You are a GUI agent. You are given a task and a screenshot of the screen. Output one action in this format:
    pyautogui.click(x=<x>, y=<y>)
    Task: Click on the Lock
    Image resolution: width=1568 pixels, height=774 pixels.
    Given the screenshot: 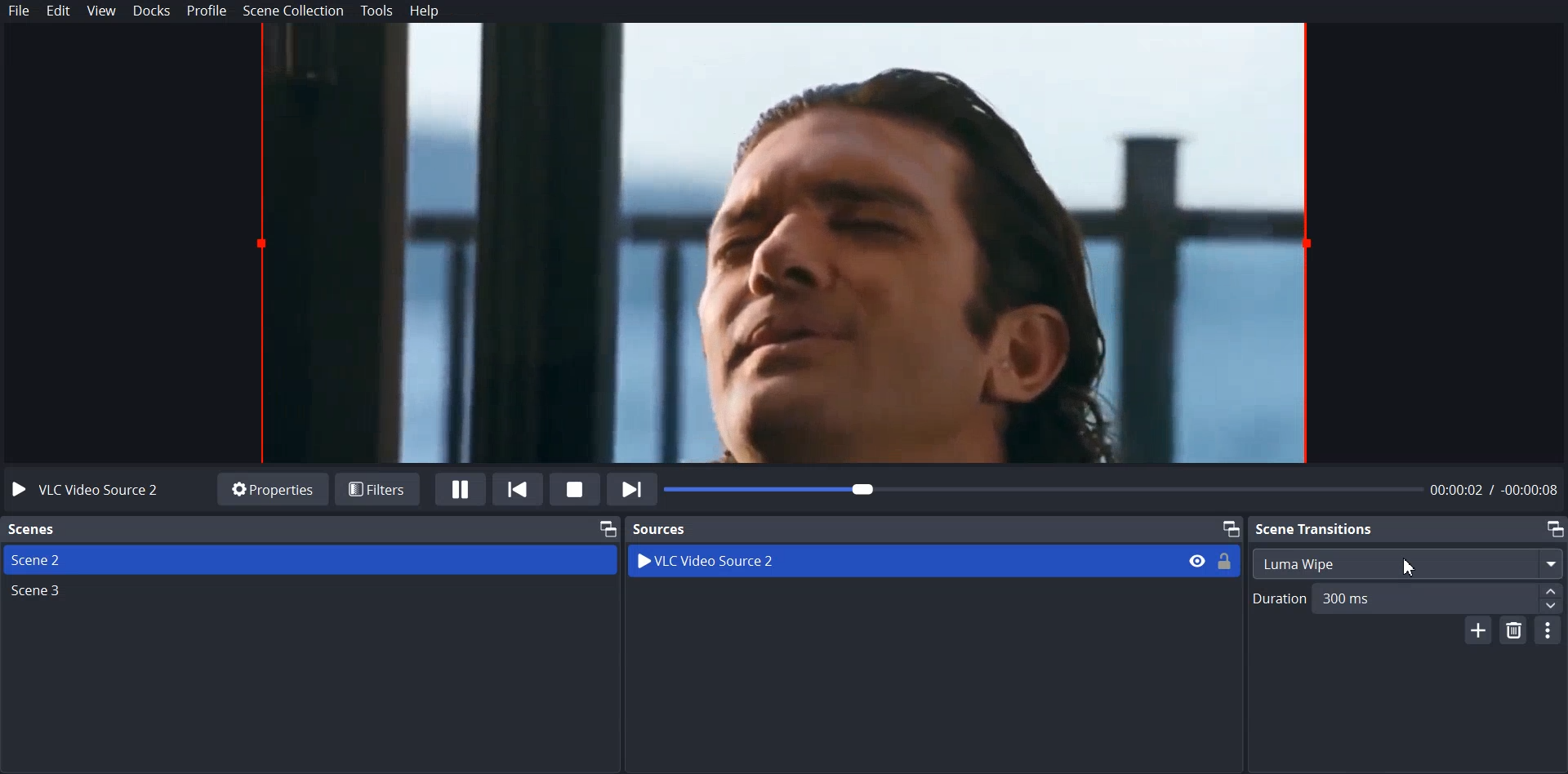 What is the action you would take?
    pyautogui.click(x=1226, y=560)
    